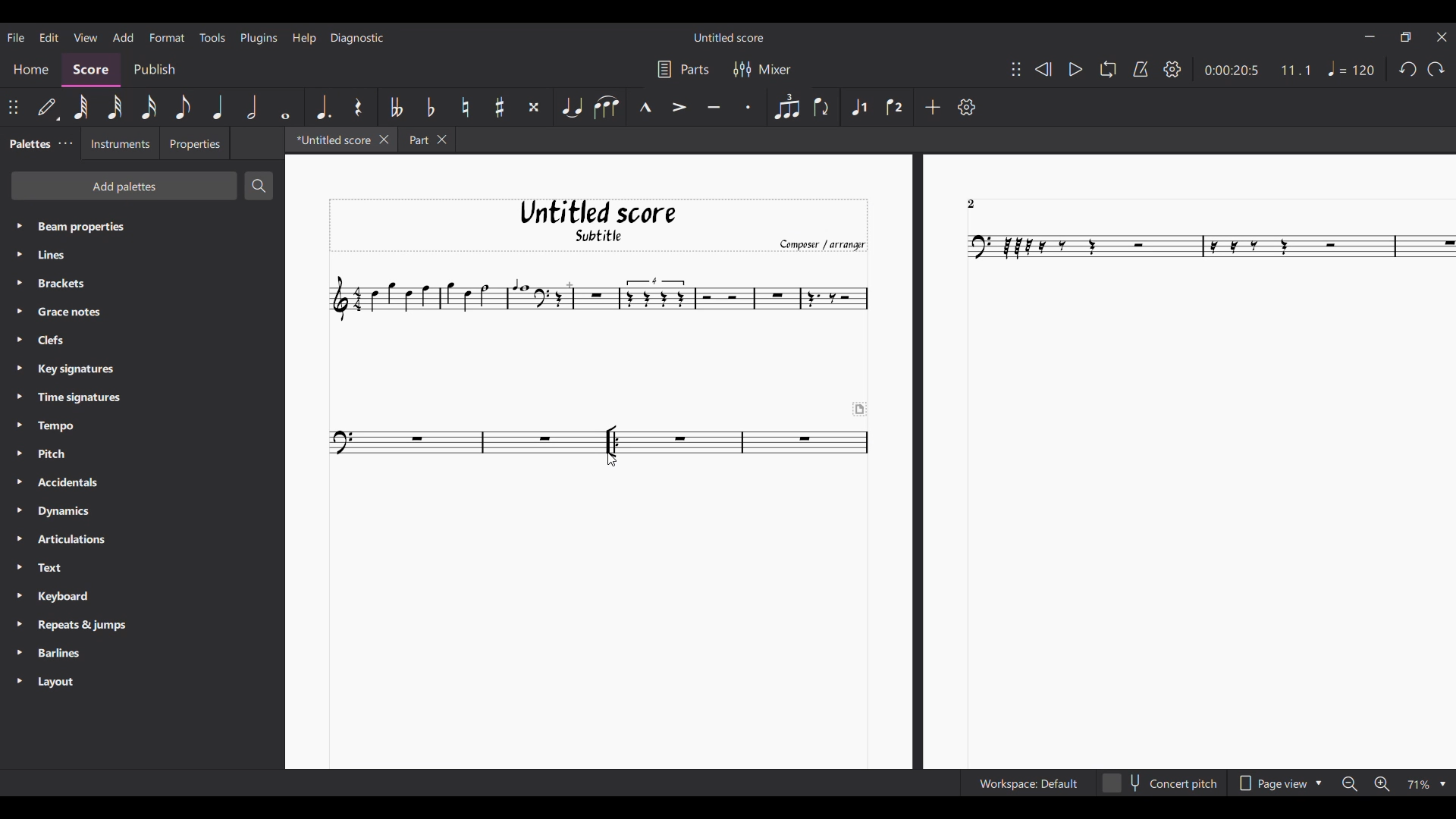 This screenshot has width=1456, height=819. Describe the element at coordinates (749, 106) in the screenshot. I see `Staccato` at that location.